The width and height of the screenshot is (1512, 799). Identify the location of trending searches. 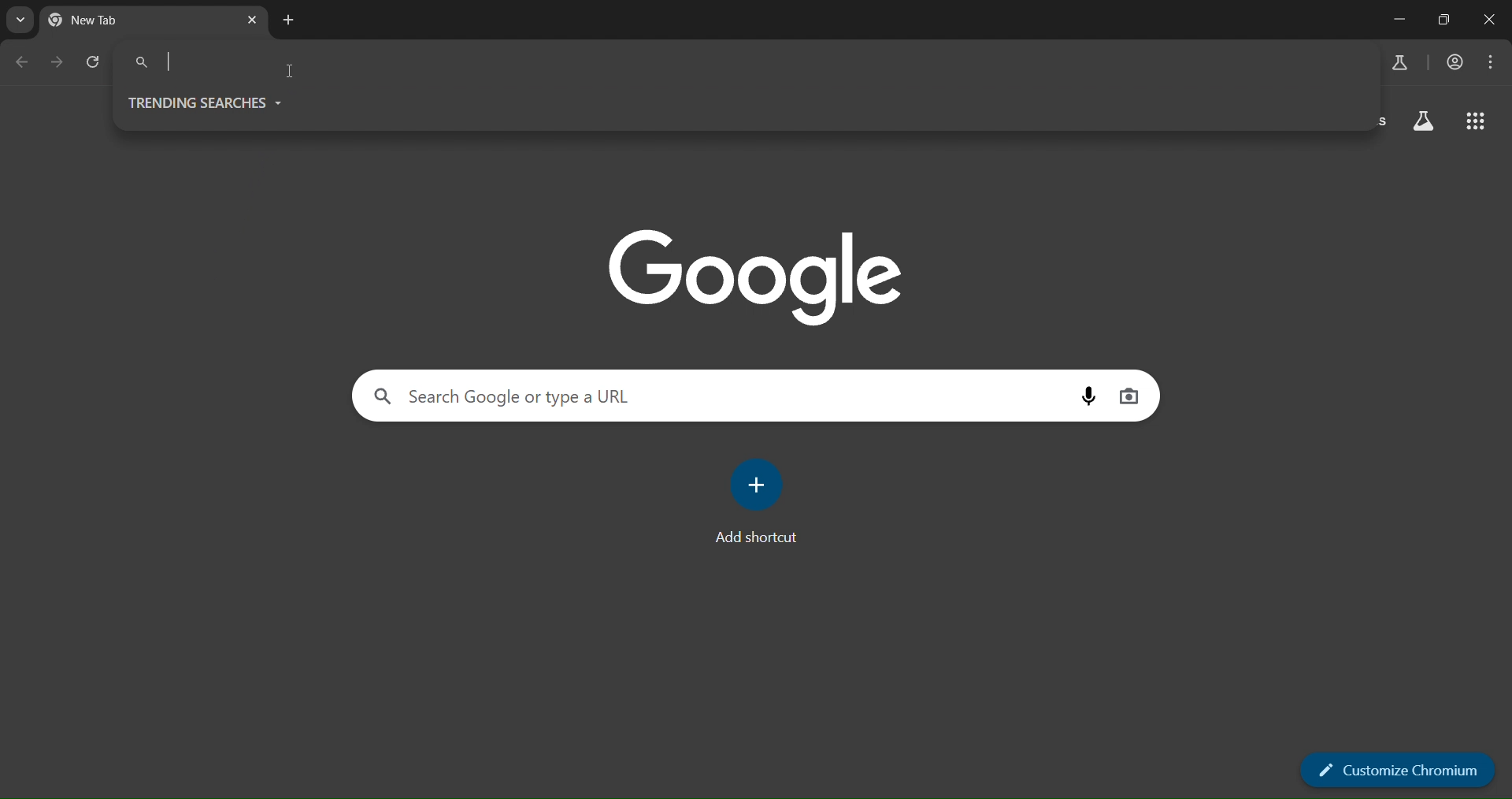
(220, 104).